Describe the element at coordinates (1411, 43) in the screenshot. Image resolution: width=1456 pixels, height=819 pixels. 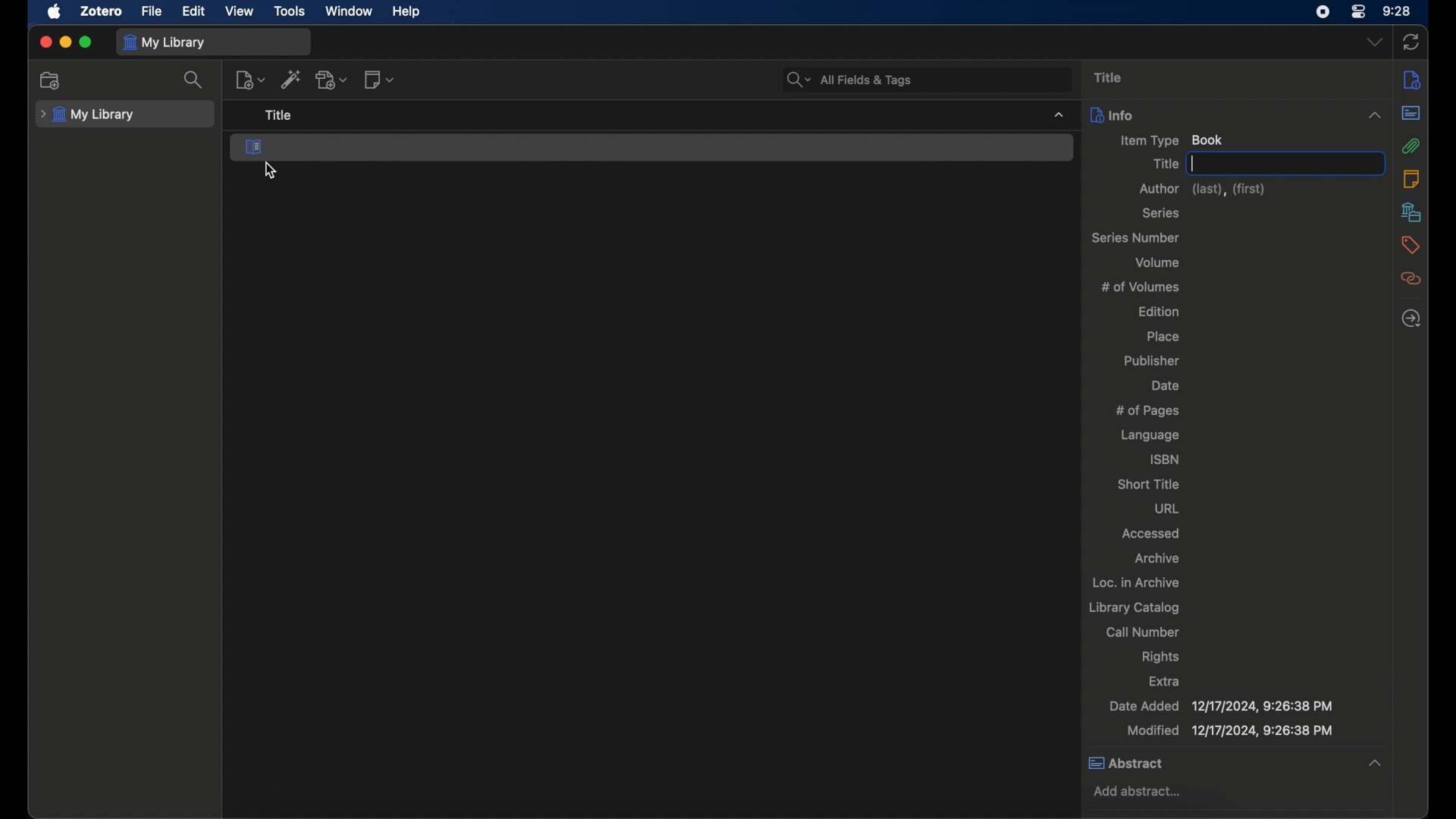
I see `sync` at that location.